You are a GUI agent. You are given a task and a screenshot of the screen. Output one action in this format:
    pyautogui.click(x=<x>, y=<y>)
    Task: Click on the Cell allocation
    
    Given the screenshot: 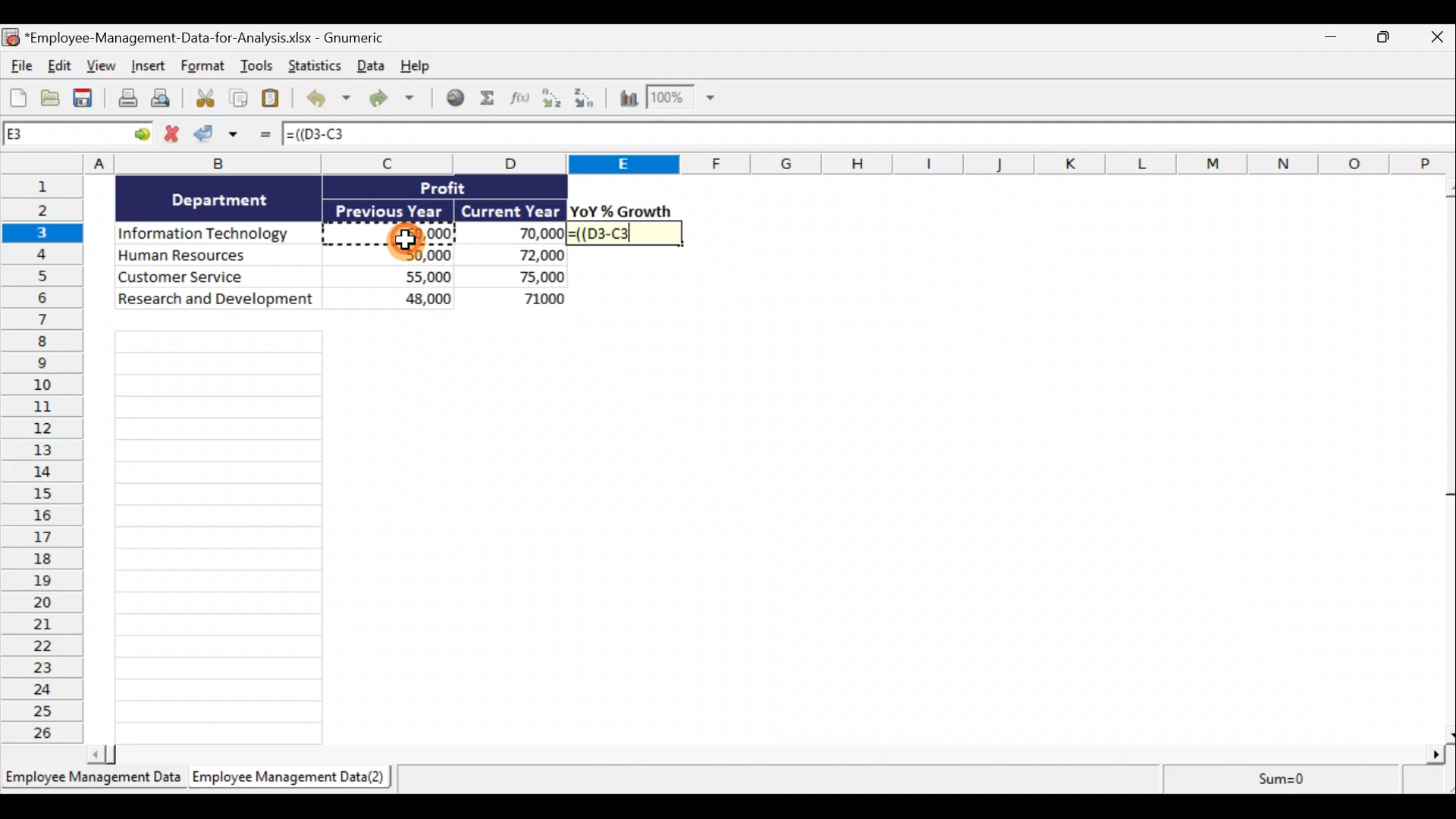 What is the action you would take?
    pyautogui.click(x=79, y=136)
    